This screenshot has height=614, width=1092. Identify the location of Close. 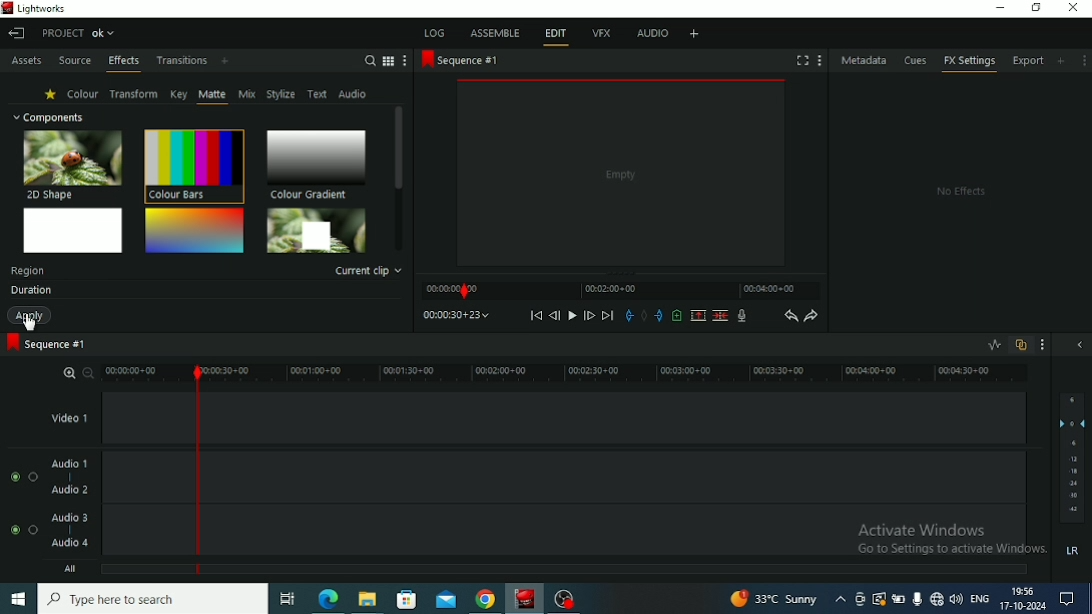
(1073, 9).